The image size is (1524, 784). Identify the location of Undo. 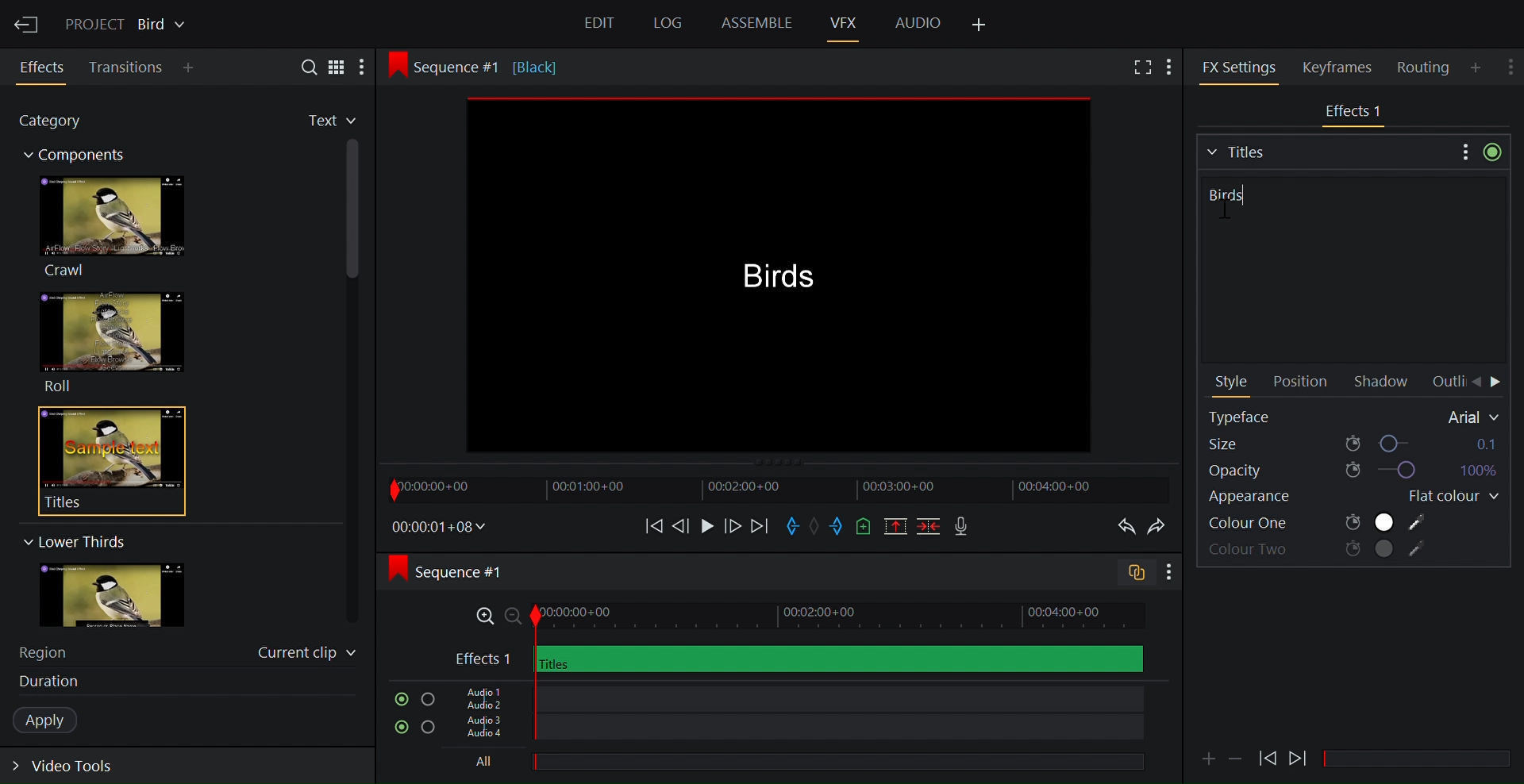
(1122, 527).